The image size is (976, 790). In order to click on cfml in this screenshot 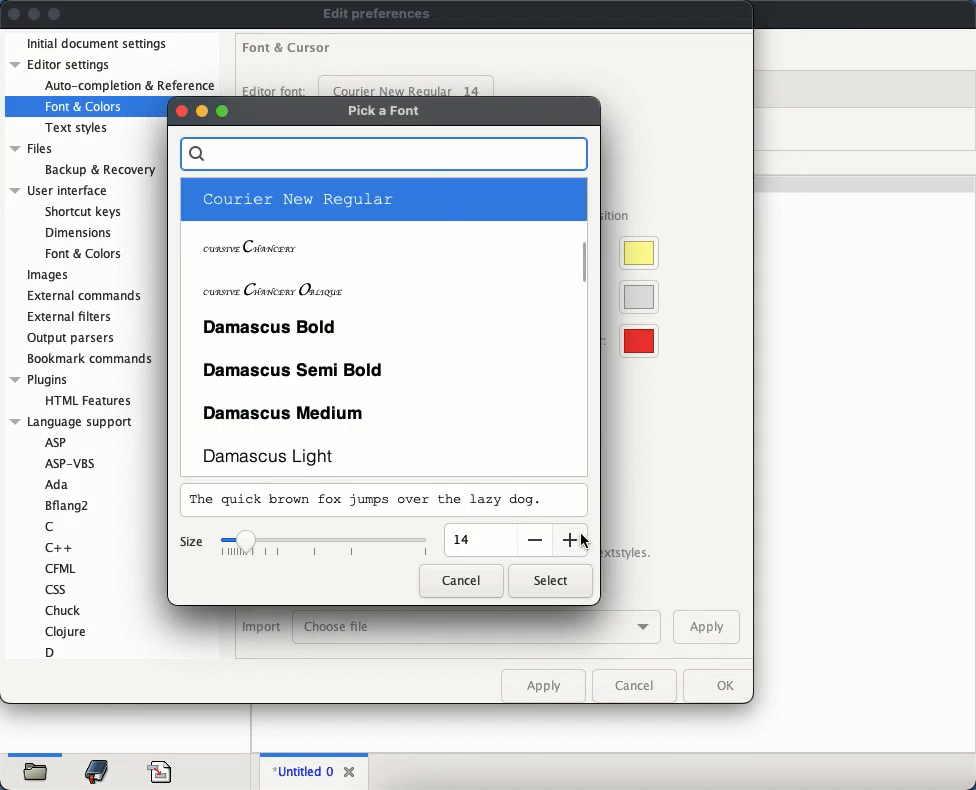, I will do `click(59, 568)`.